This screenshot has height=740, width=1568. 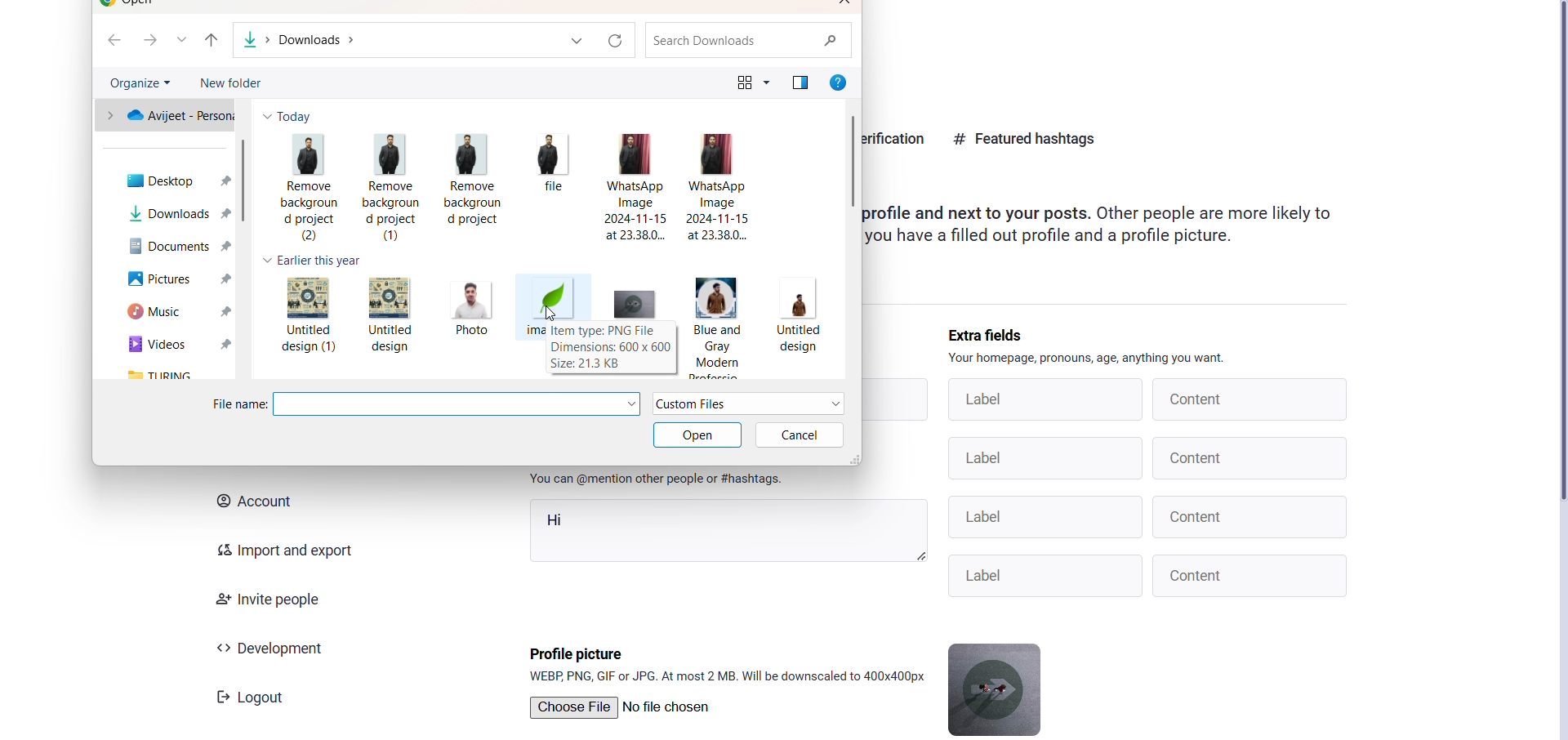 What do you see at coordinates (459, 403) in the screenshot?
I see `selected file name` at bounding box center [459, 403].